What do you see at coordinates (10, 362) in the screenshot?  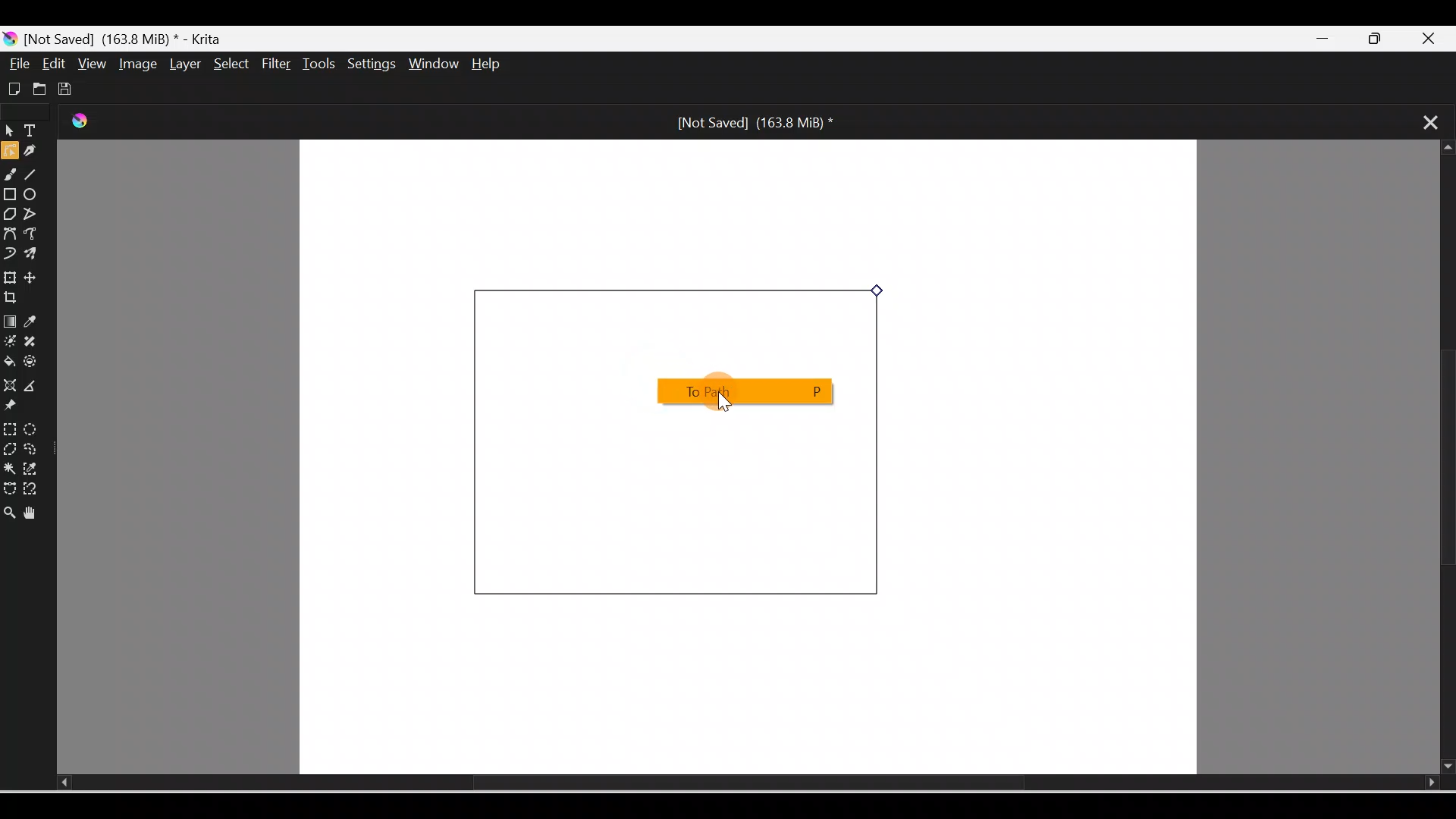 I see `Fill a contiguous area of color with color` at bounding box center [10, 362].